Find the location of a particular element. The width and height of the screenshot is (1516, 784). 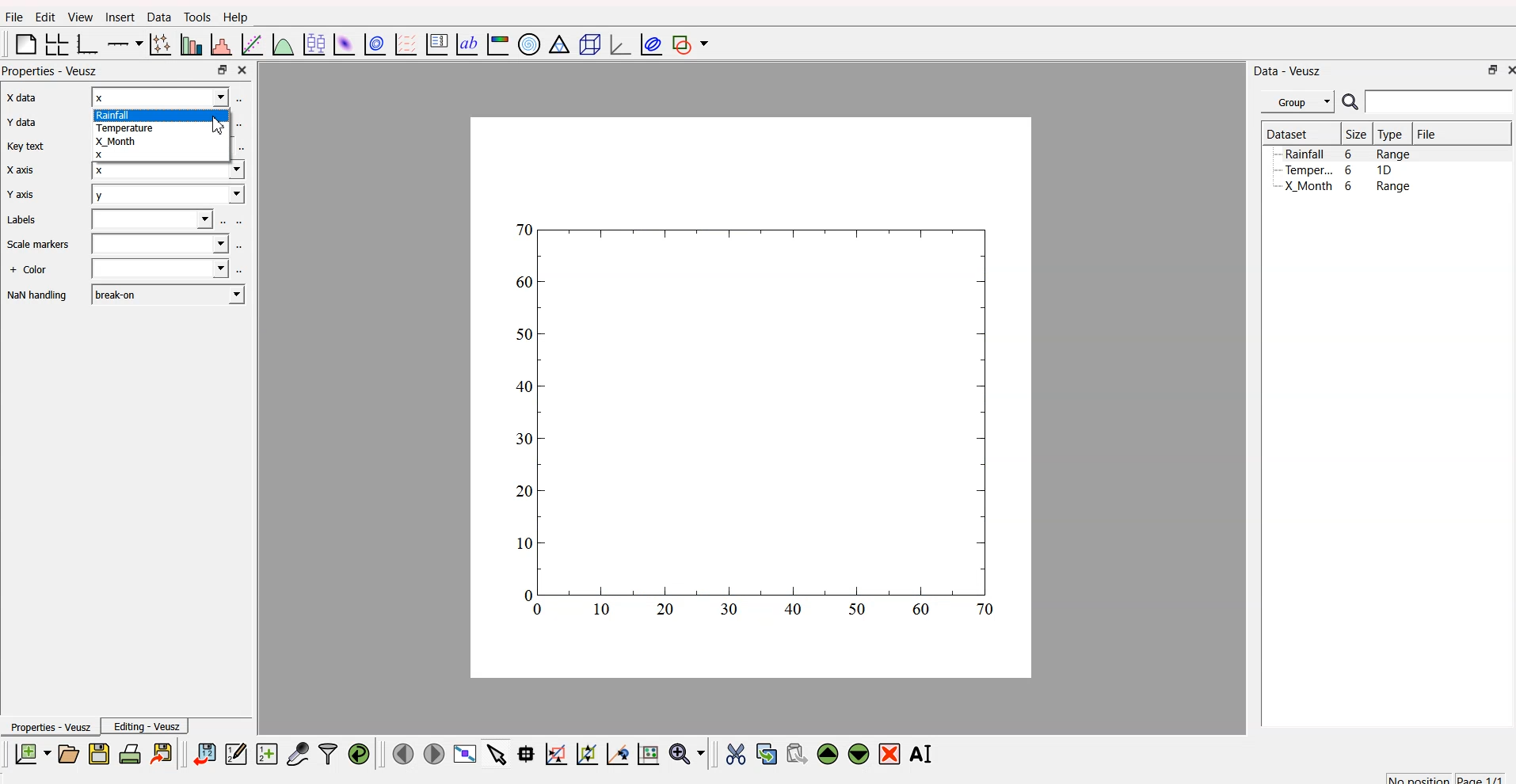

maximize is located at coordinates (1488, 72).